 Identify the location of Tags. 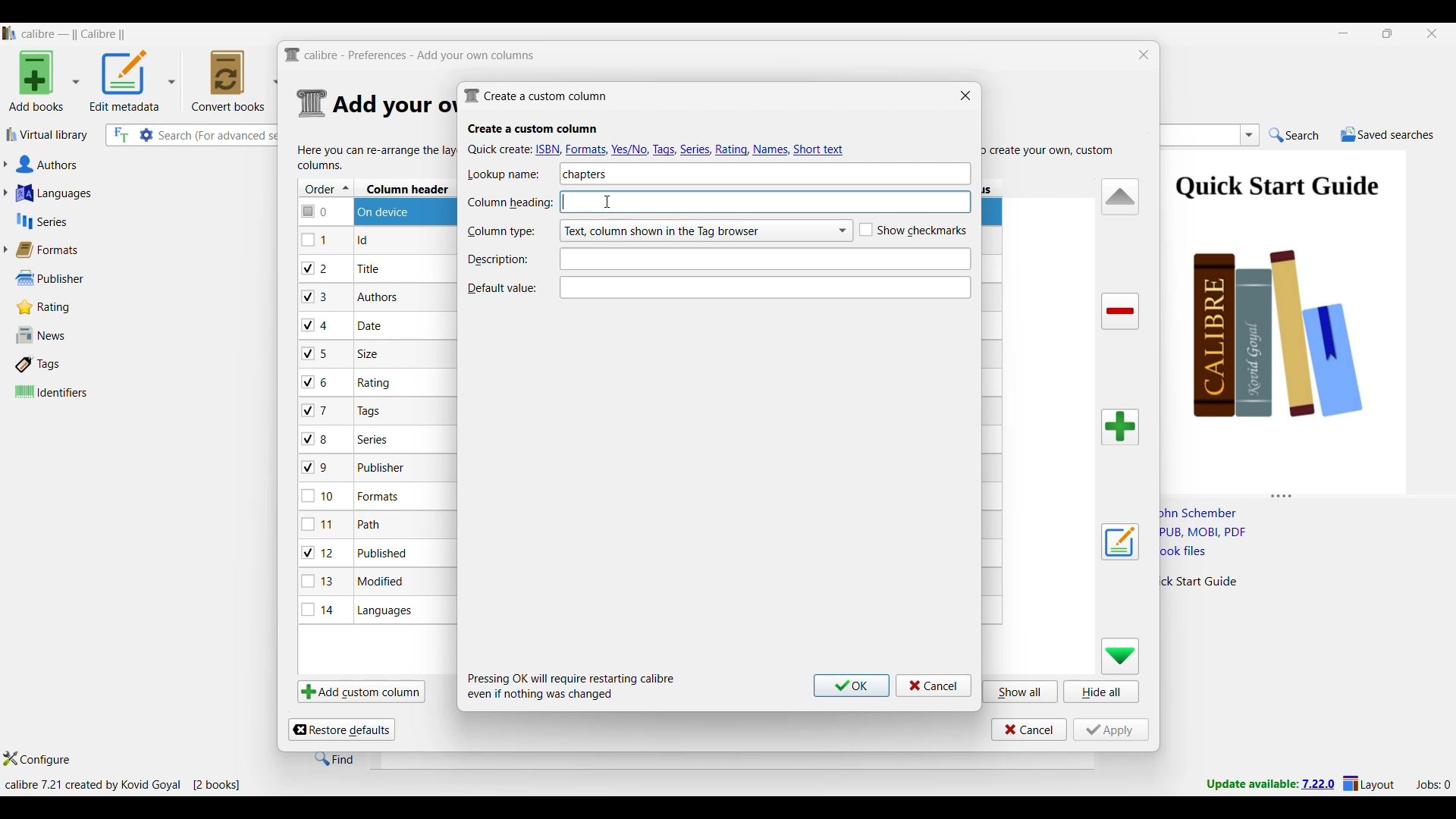
(71, 364).